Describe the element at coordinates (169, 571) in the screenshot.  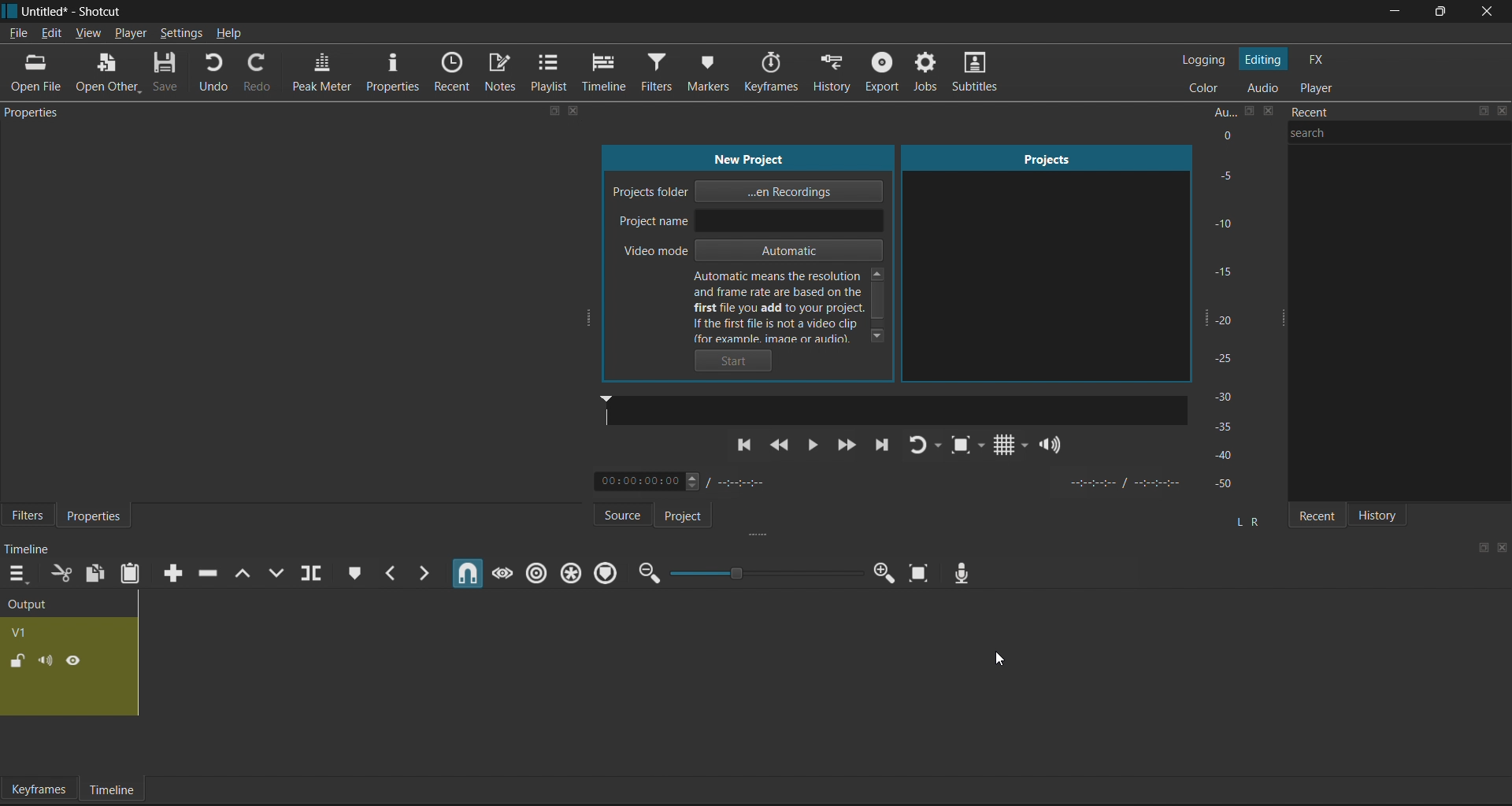
I see `Append` at that location.